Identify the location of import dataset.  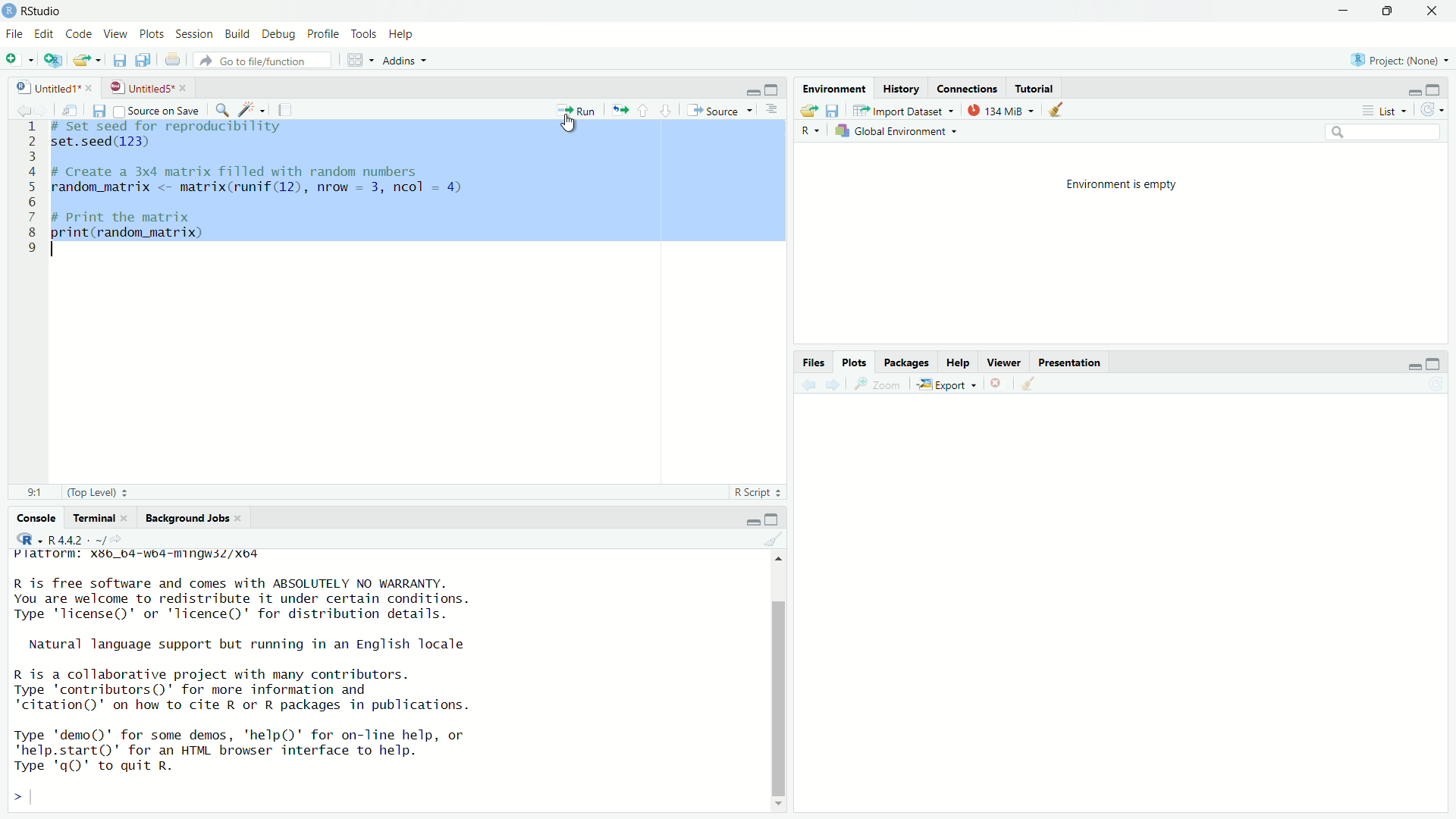
(899, 111).